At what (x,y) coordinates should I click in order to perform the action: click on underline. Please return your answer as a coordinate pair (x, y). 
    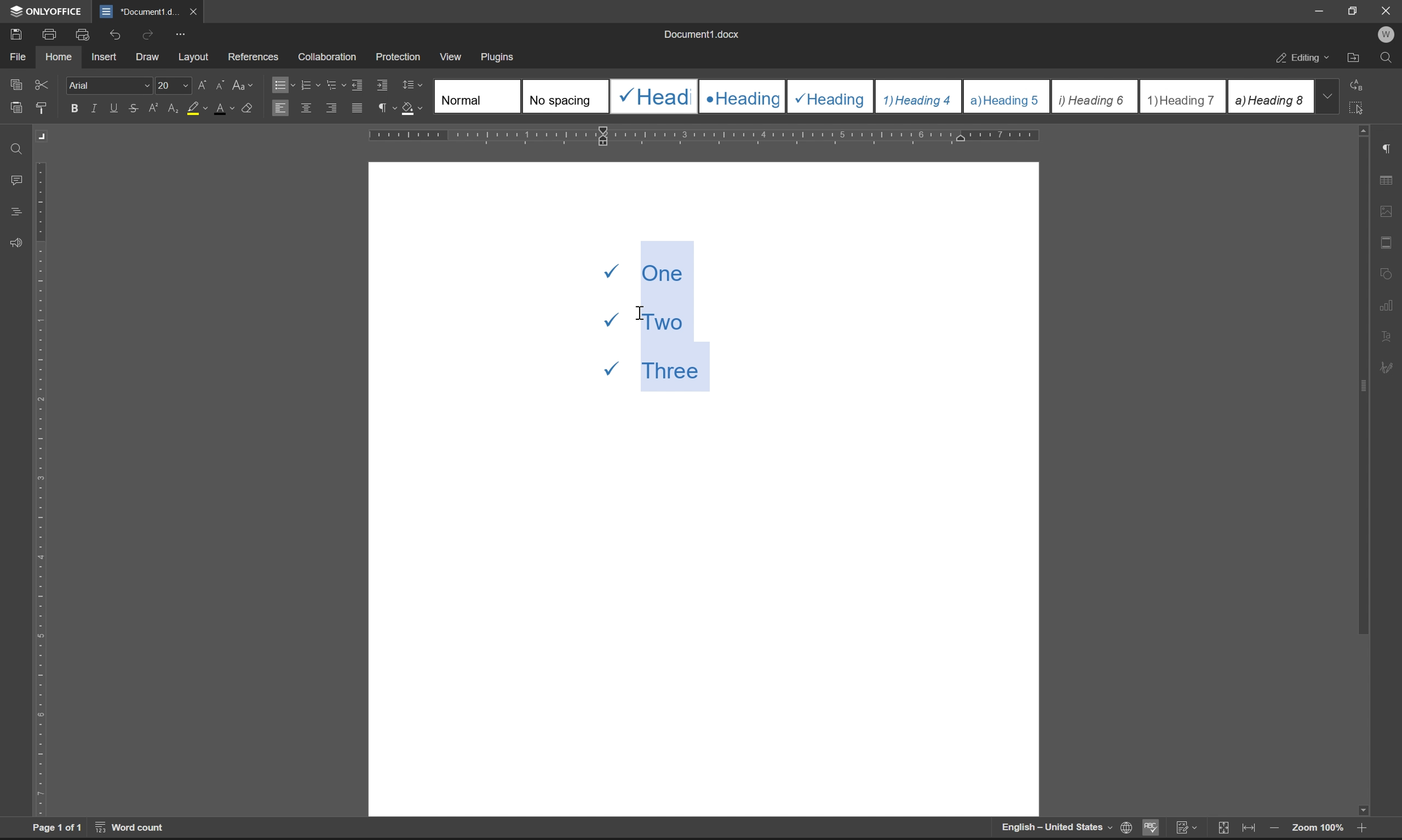
    Looking at the image, I should click on (115, 108).